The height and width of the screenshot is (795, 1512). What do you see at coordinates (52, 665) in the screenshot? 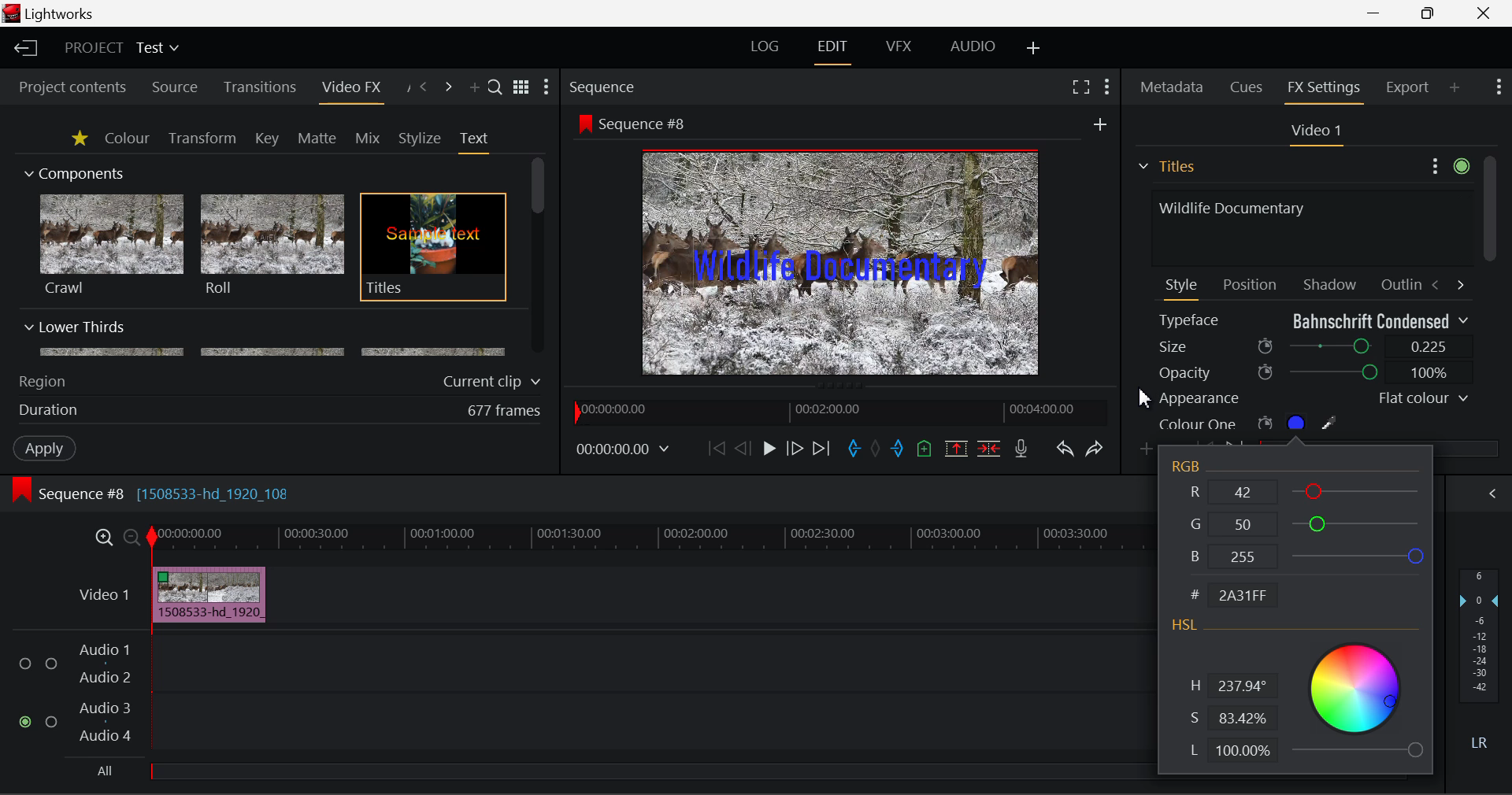
I see `checkbox` at bounding box center [52, 665].